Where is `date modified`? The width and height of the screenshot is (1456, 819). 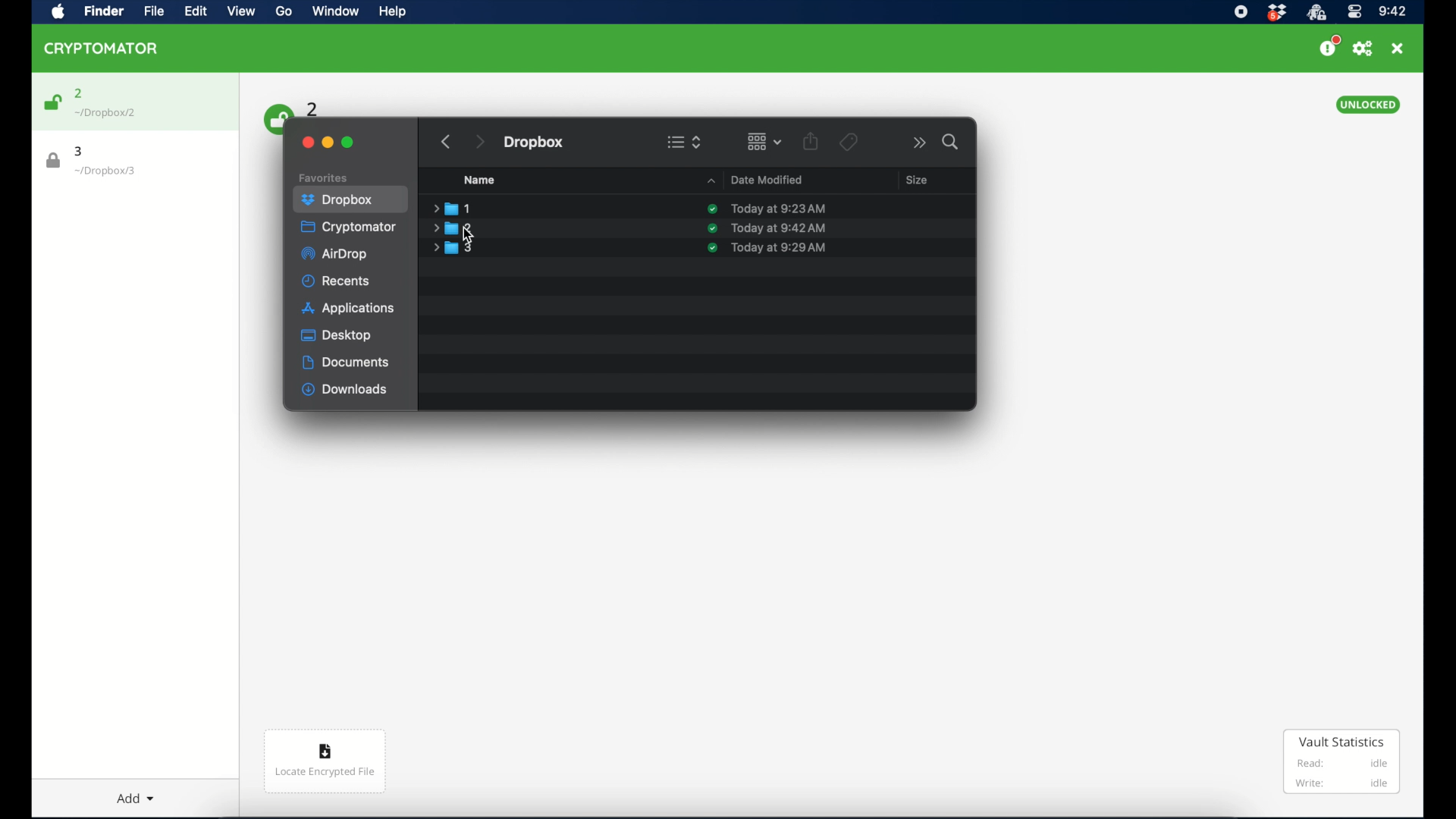
date modified is located at coordinates (752, 179).